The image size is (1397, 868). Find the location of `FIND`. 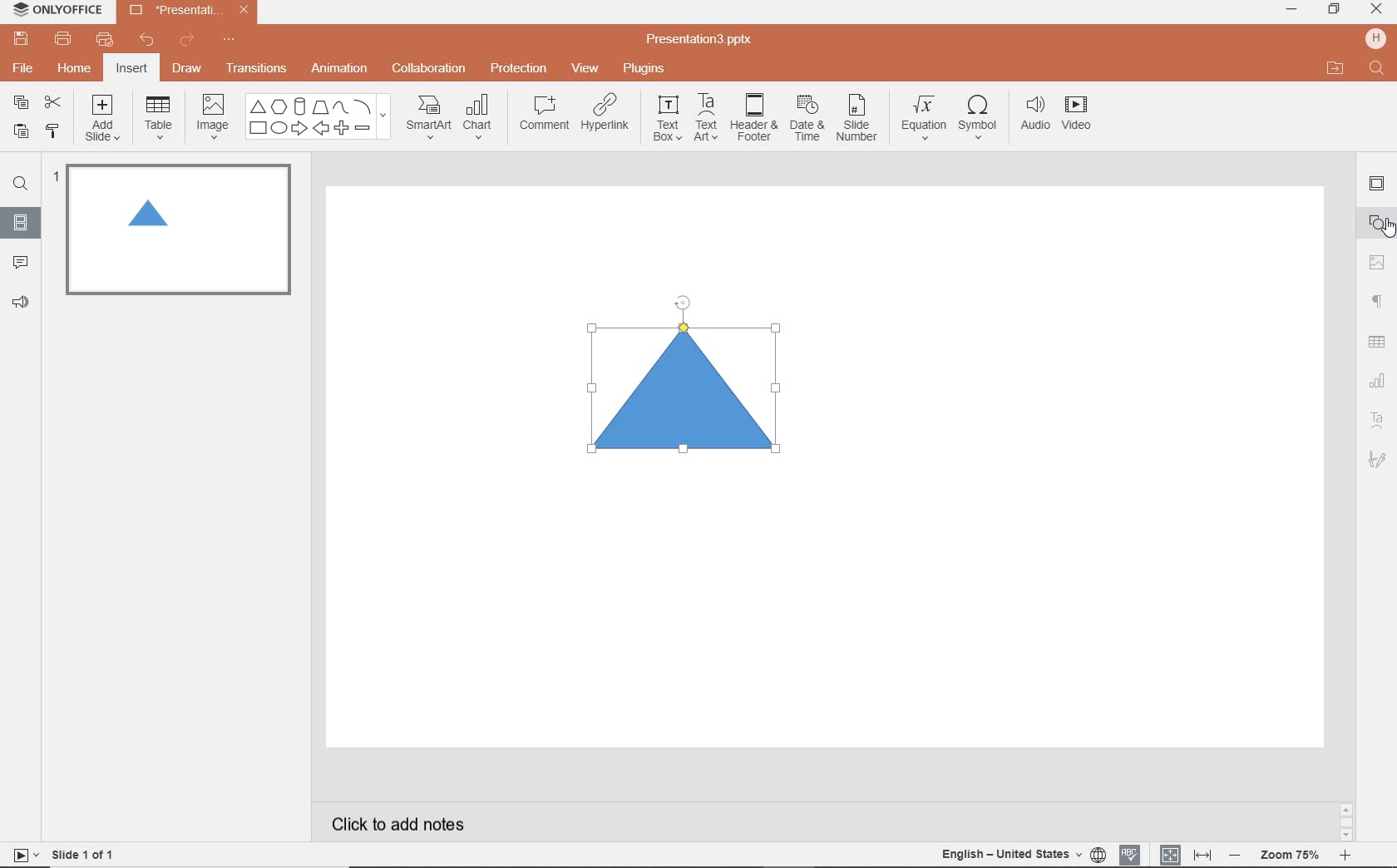

FIND is located at coordinates (20, 186).